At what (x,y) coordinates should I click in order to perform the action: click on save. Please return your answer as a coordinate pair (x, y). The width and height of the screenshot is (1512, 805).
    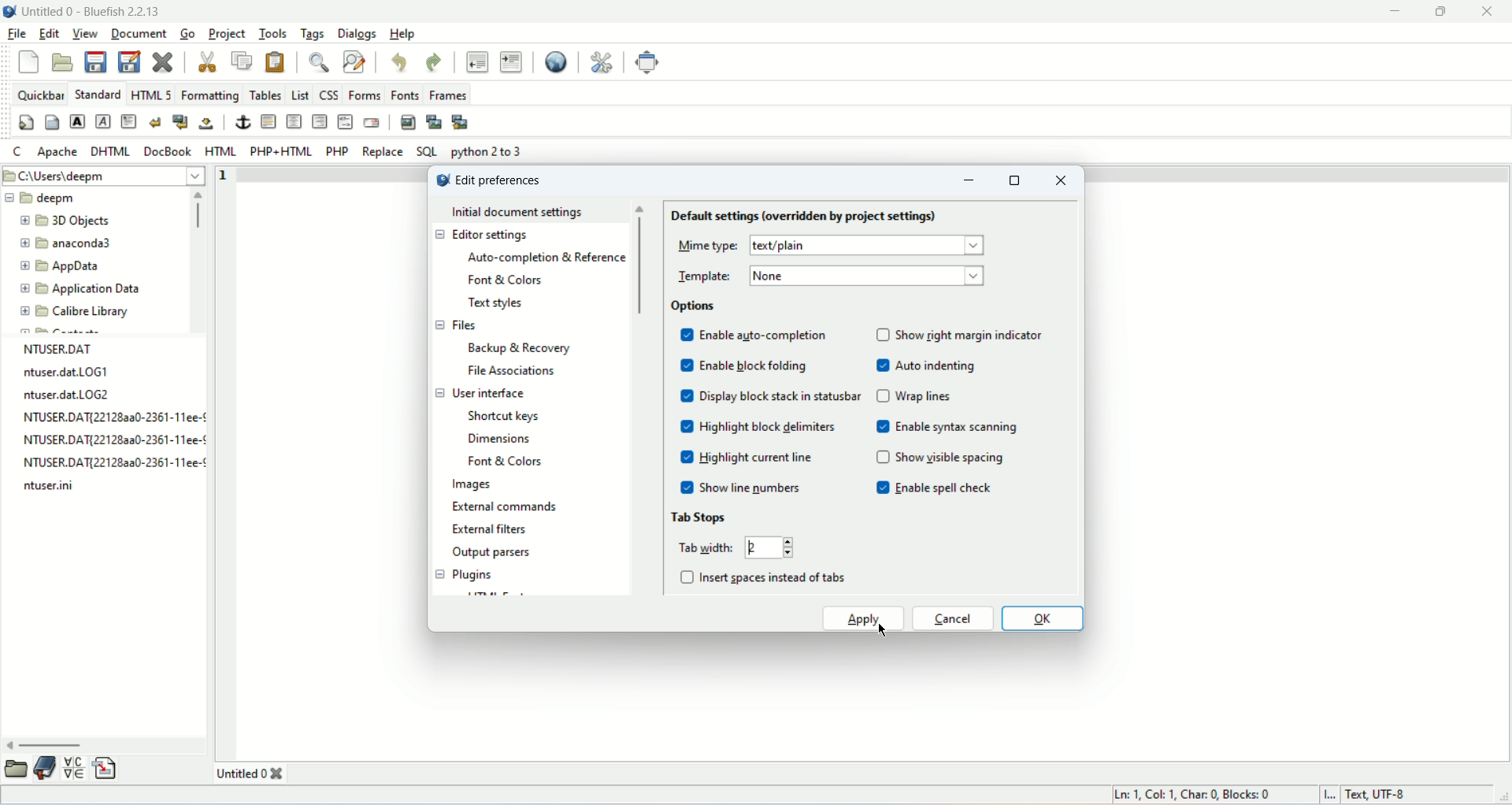
    Looking at the image, I should click on (95, 61).